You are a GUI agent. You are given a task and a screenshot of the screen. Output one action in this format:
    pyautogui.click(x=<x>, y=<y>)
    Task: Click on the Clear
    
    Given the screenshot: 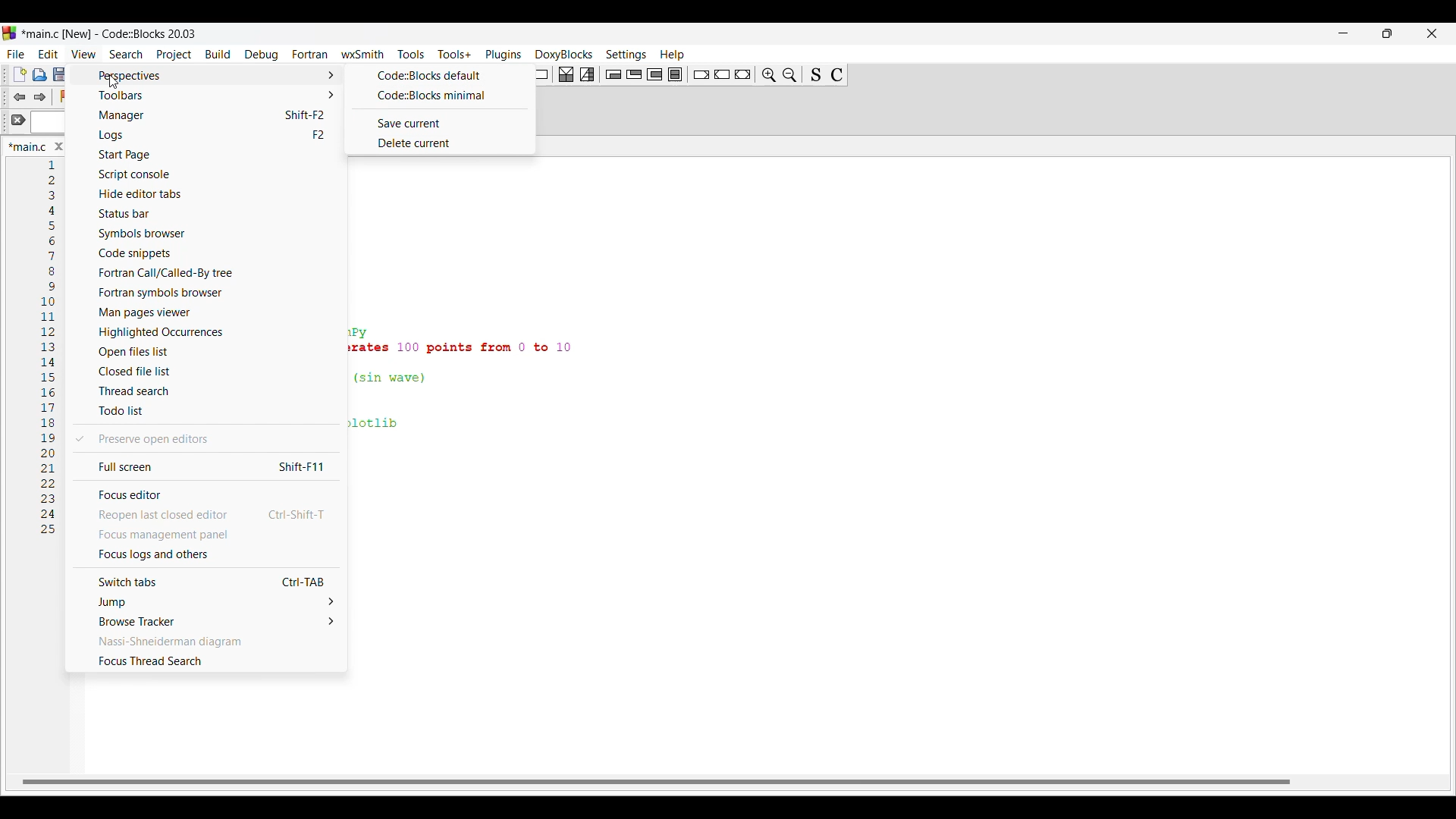 What is the action you would take?
    pyautogui.click(x=18, y=120)
    